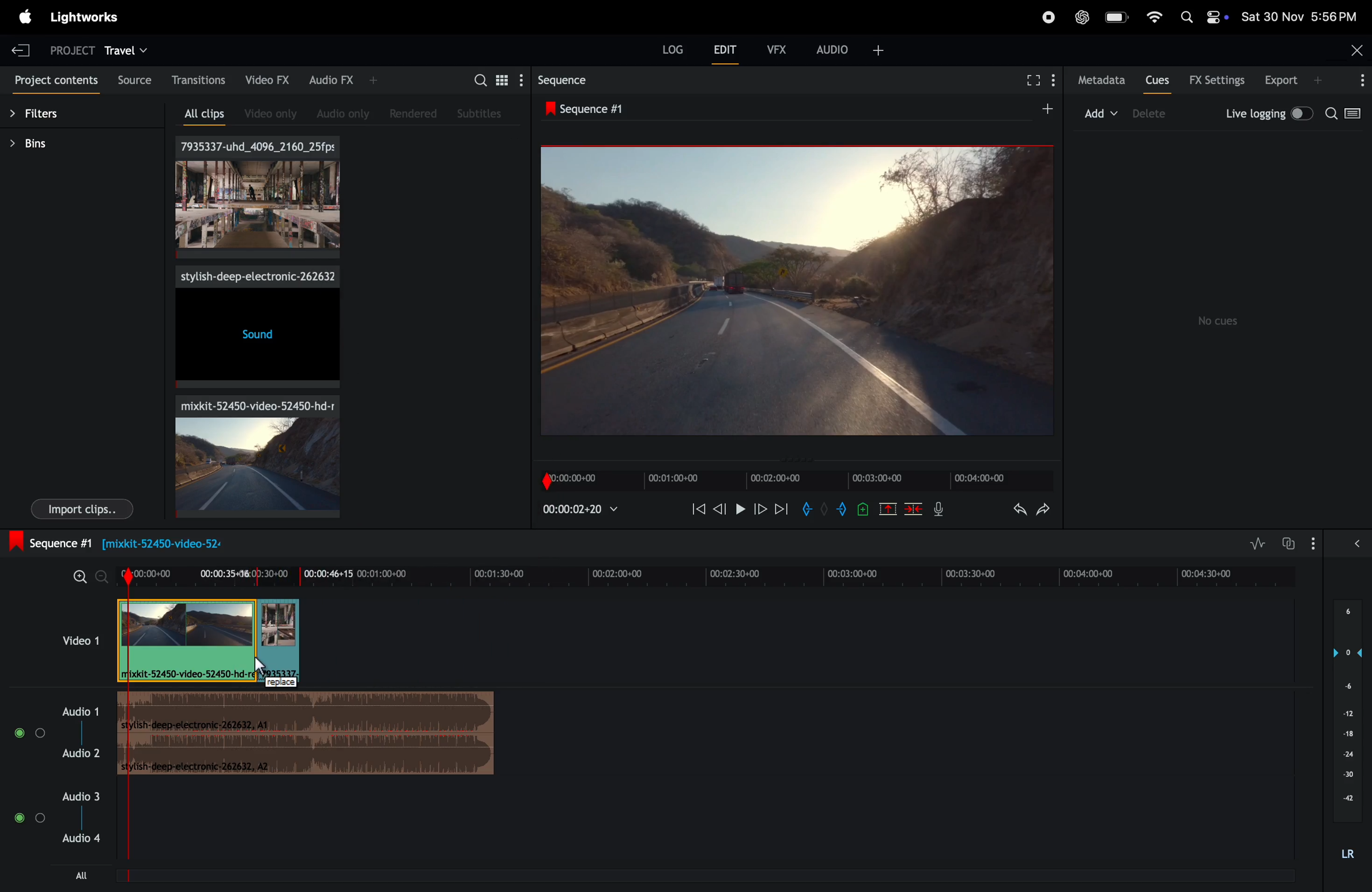 The height and width of the screenshot is (892, 1372). What do you see at coordinates (133, 78) in the screenshot?
I see `source` at bounding box center [133, 78].